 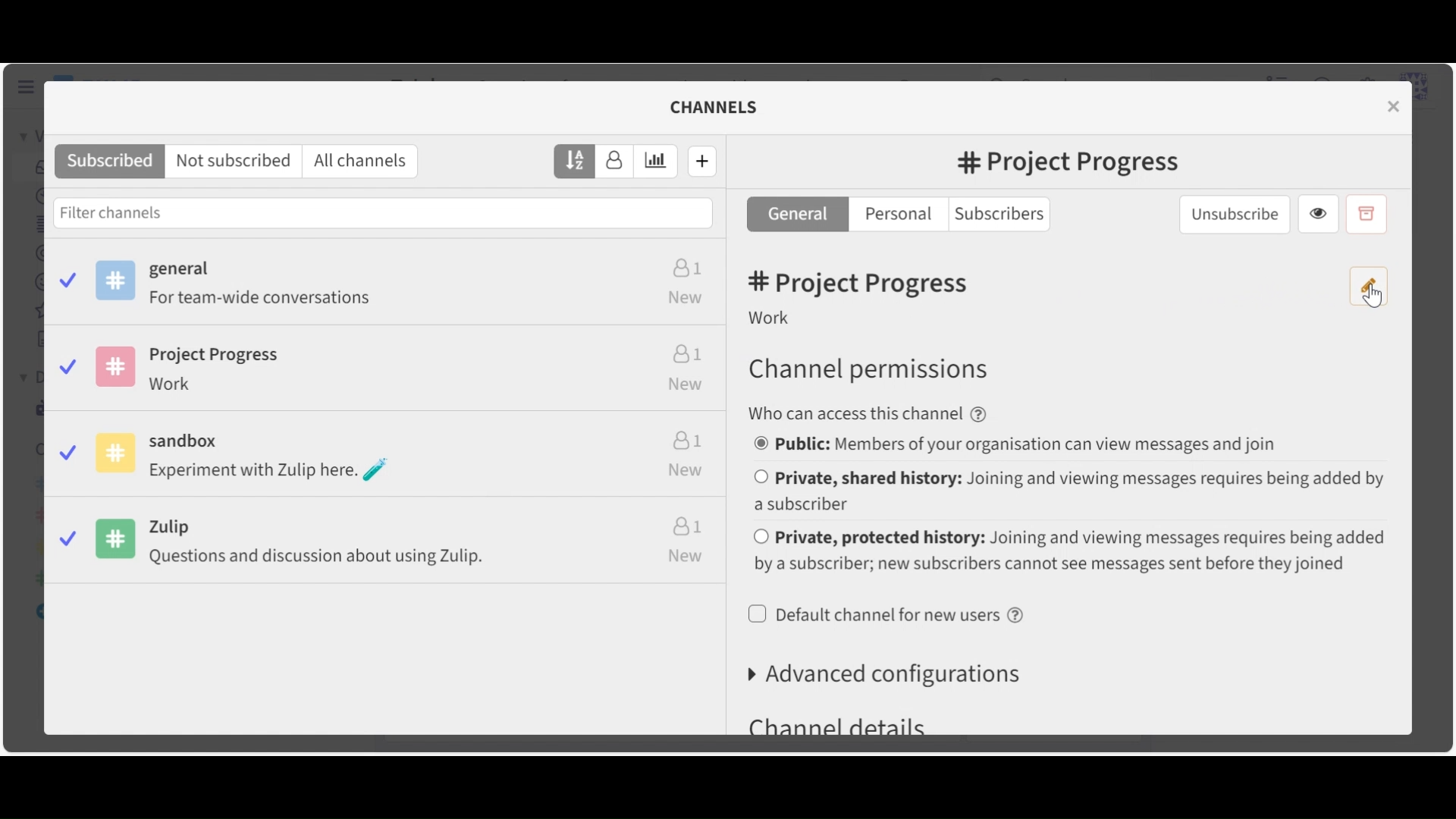 I want to click on Channel Name, so click(x=859, y=283).